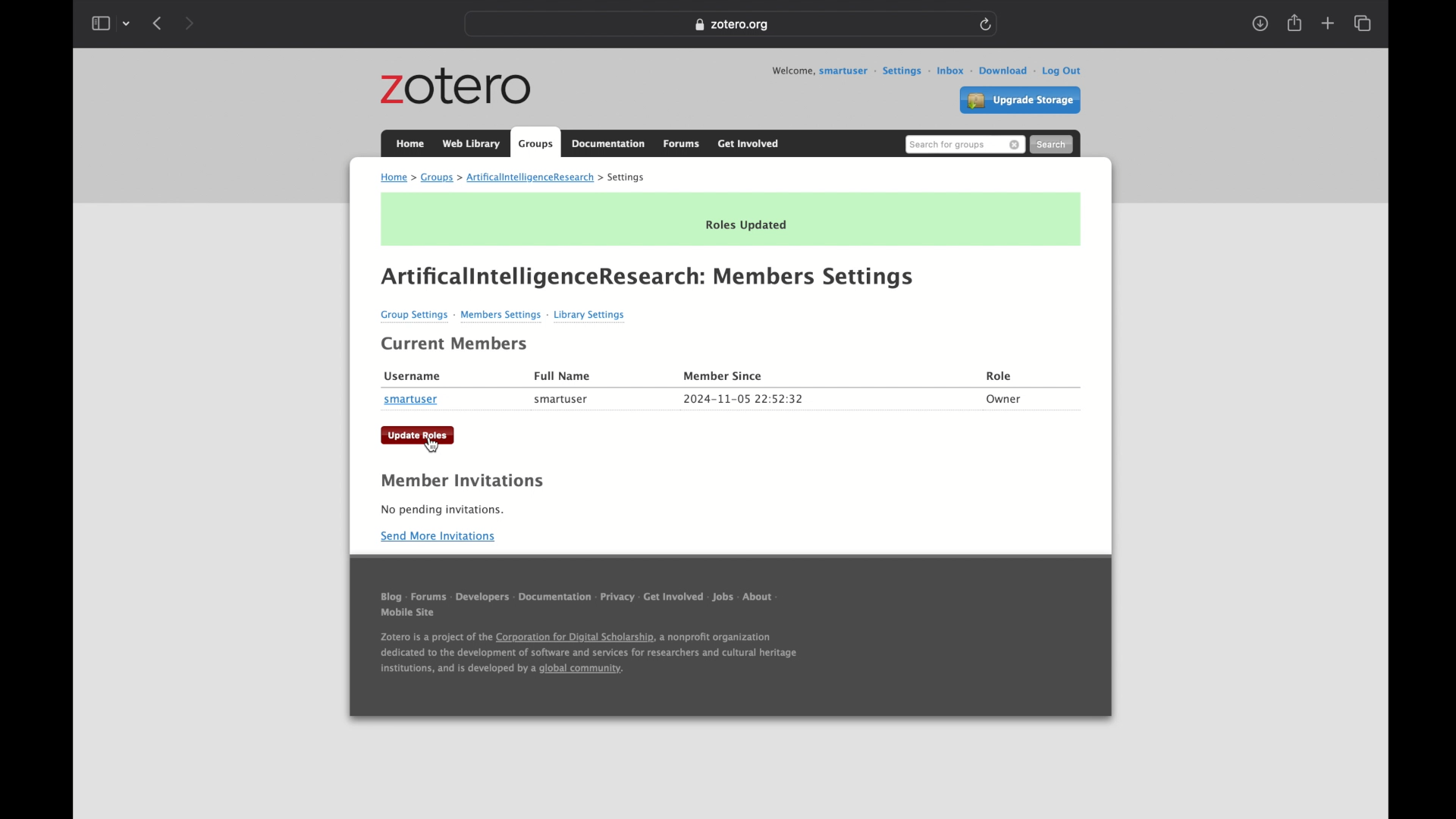  Describe the element at coordinates (752, 227) in the screenshot. I see `Roles Updated` at that location.